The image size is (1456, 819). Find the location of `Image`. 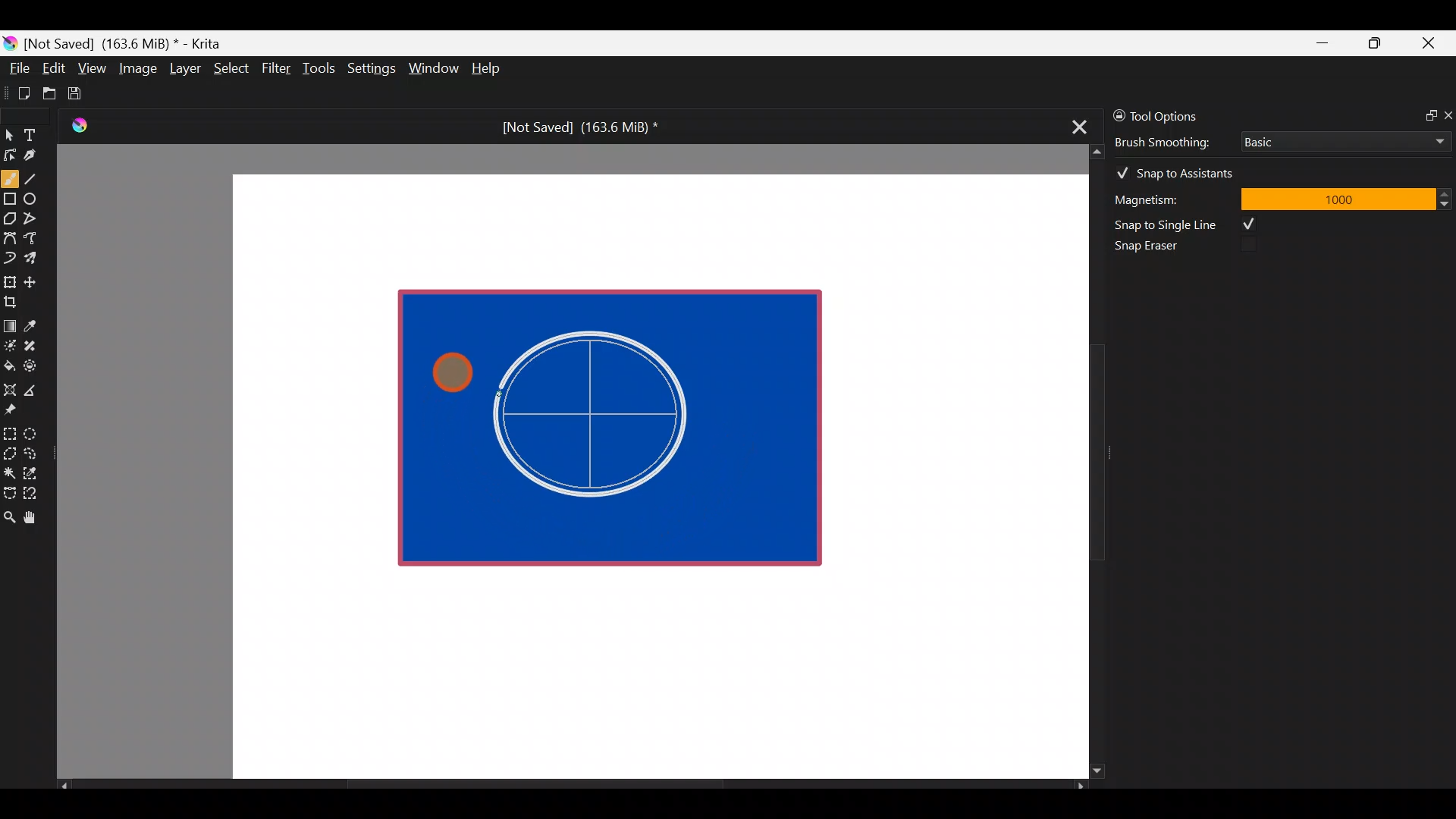

Image is located at coordinates (137, 68).